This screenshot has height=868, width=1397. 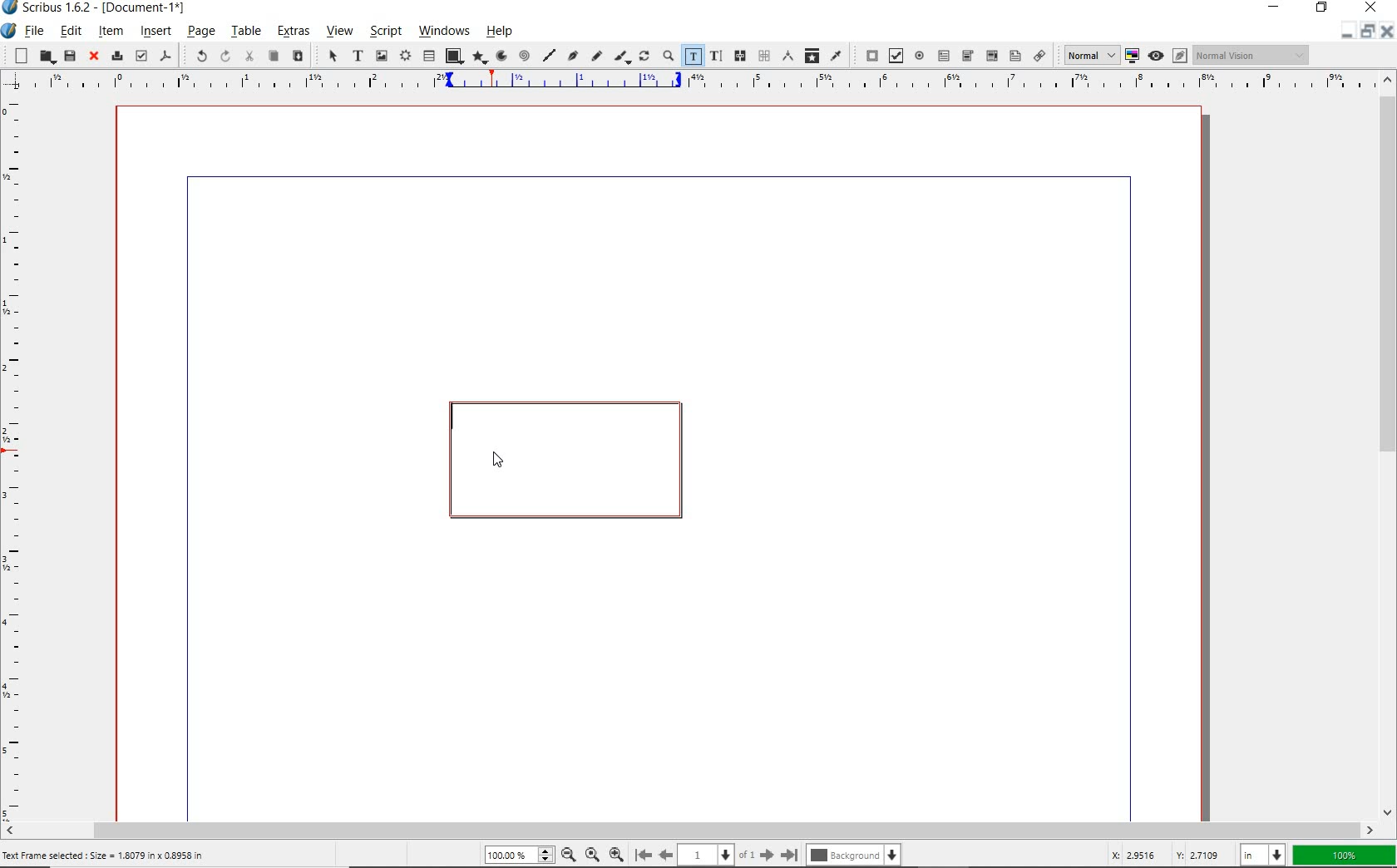 I want to click on save as pdf, so click(x=165, y=56).